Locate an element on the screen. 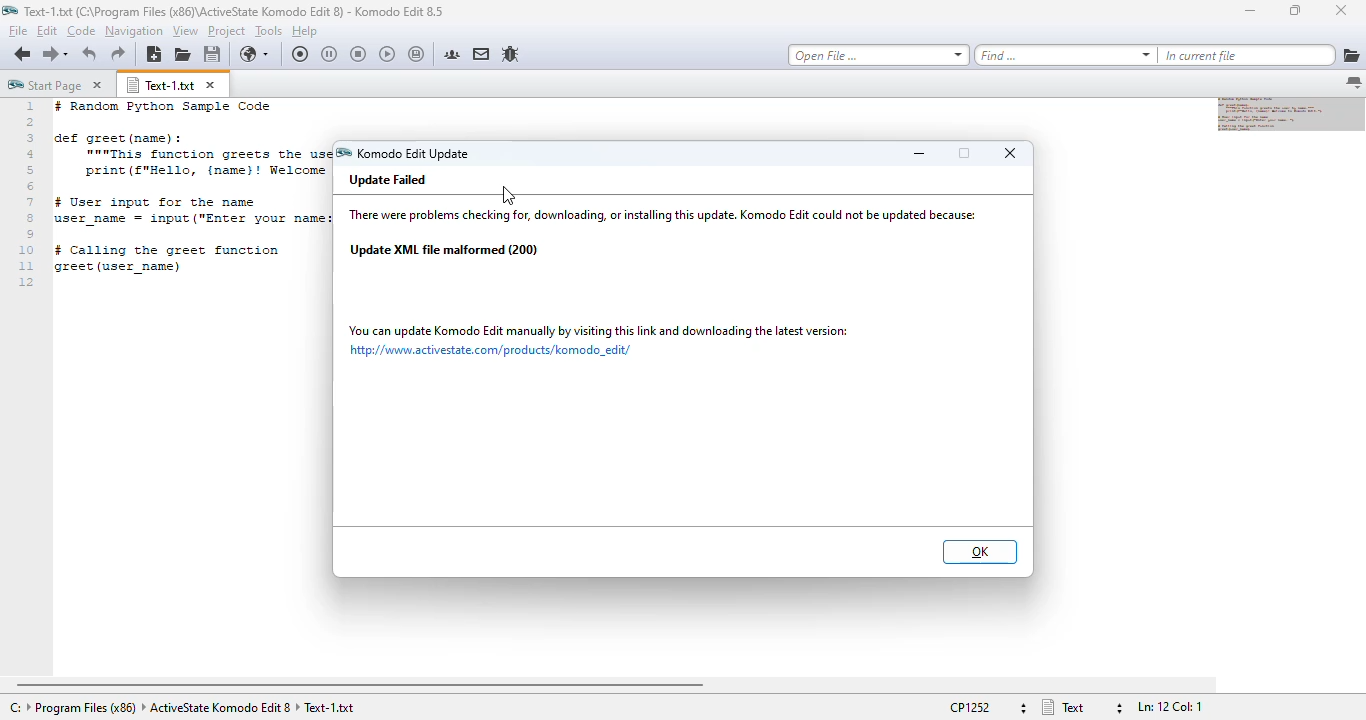 This screenshot has width=1366, height=720. code is located at coordinates (81, 31).